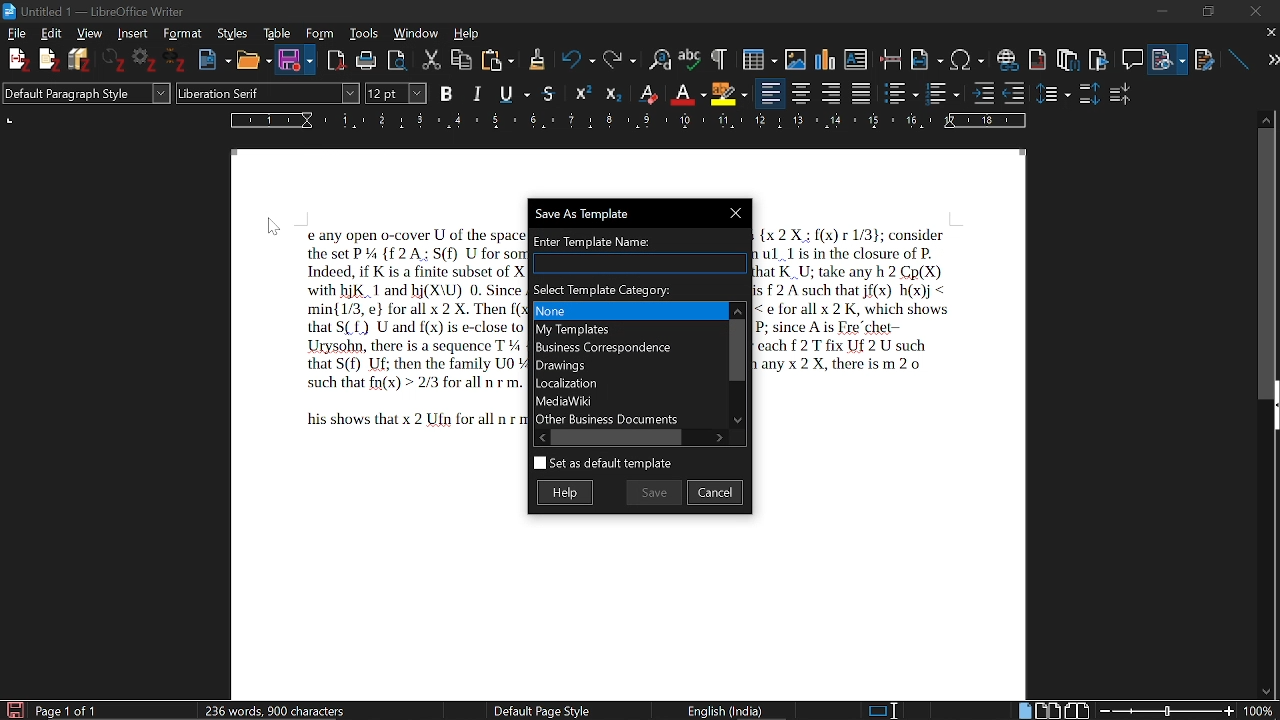  What do you see at coordinates (788, 56) in the screenshot?
I see `Insert Image` at bounding box center [788, 56].